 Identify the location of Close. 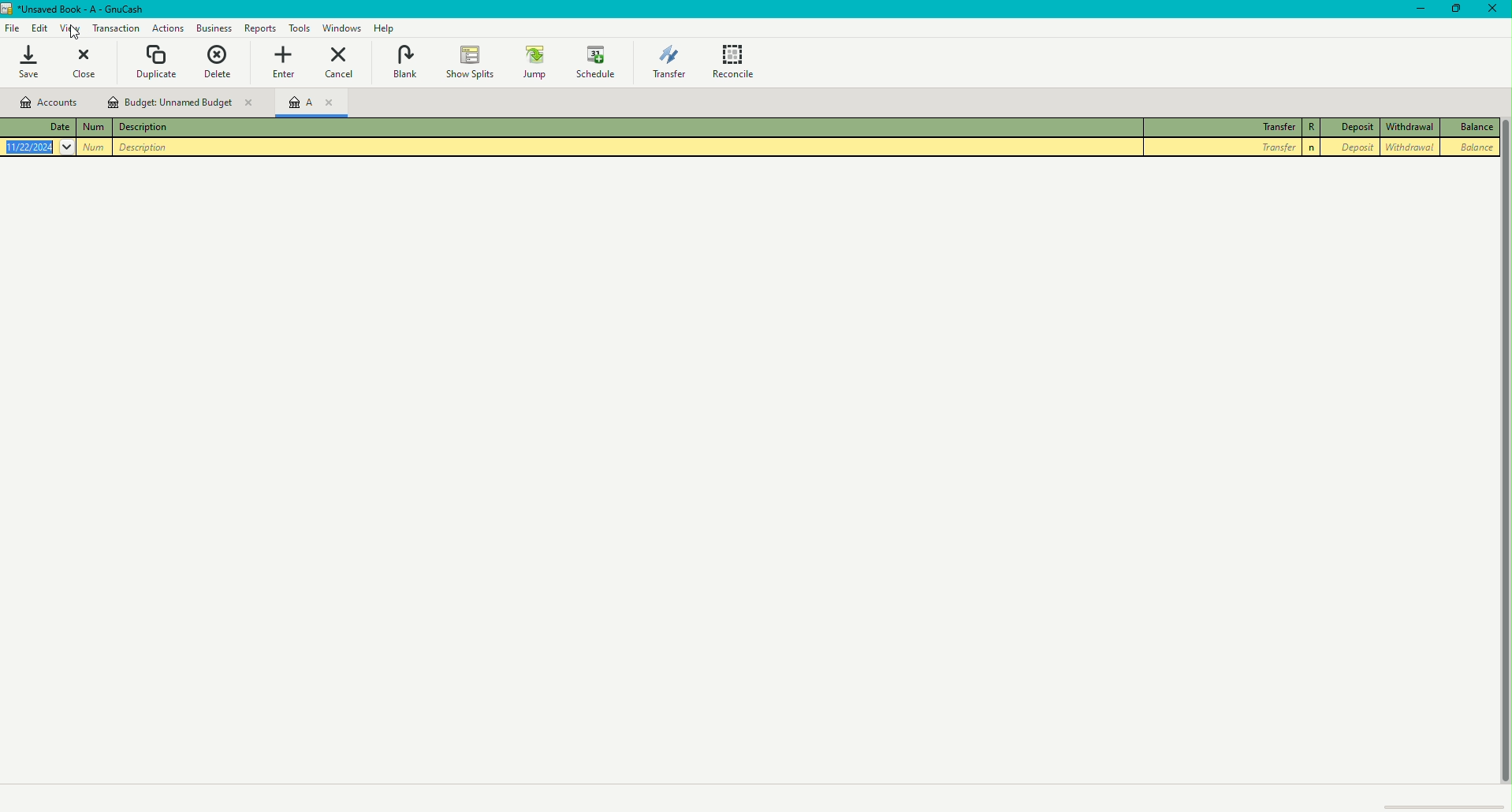
(1496, 9).